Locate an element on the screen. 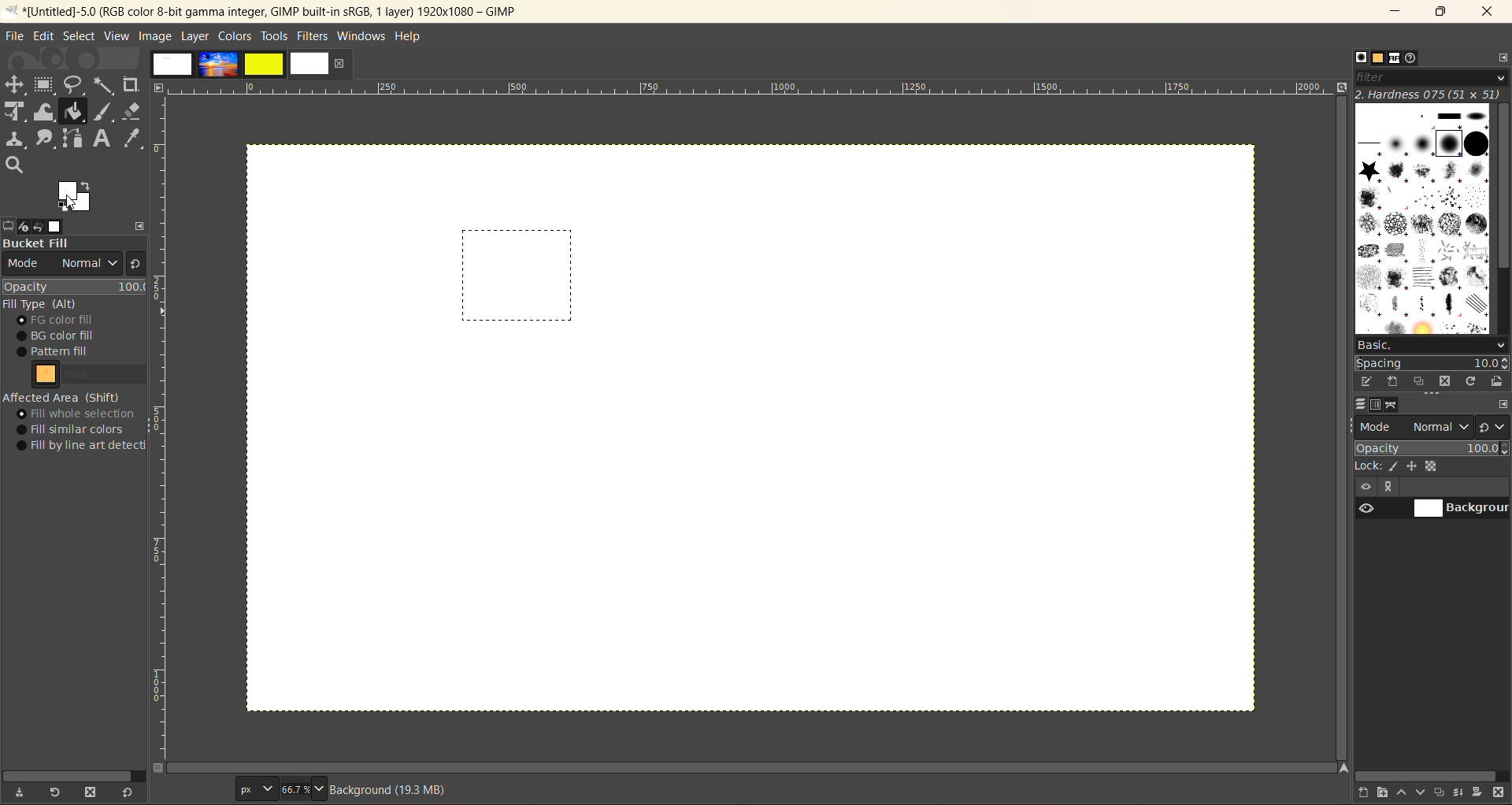 The width and height of the screenshot is (1512, 805). configure is located at coordinates (1501, 61).